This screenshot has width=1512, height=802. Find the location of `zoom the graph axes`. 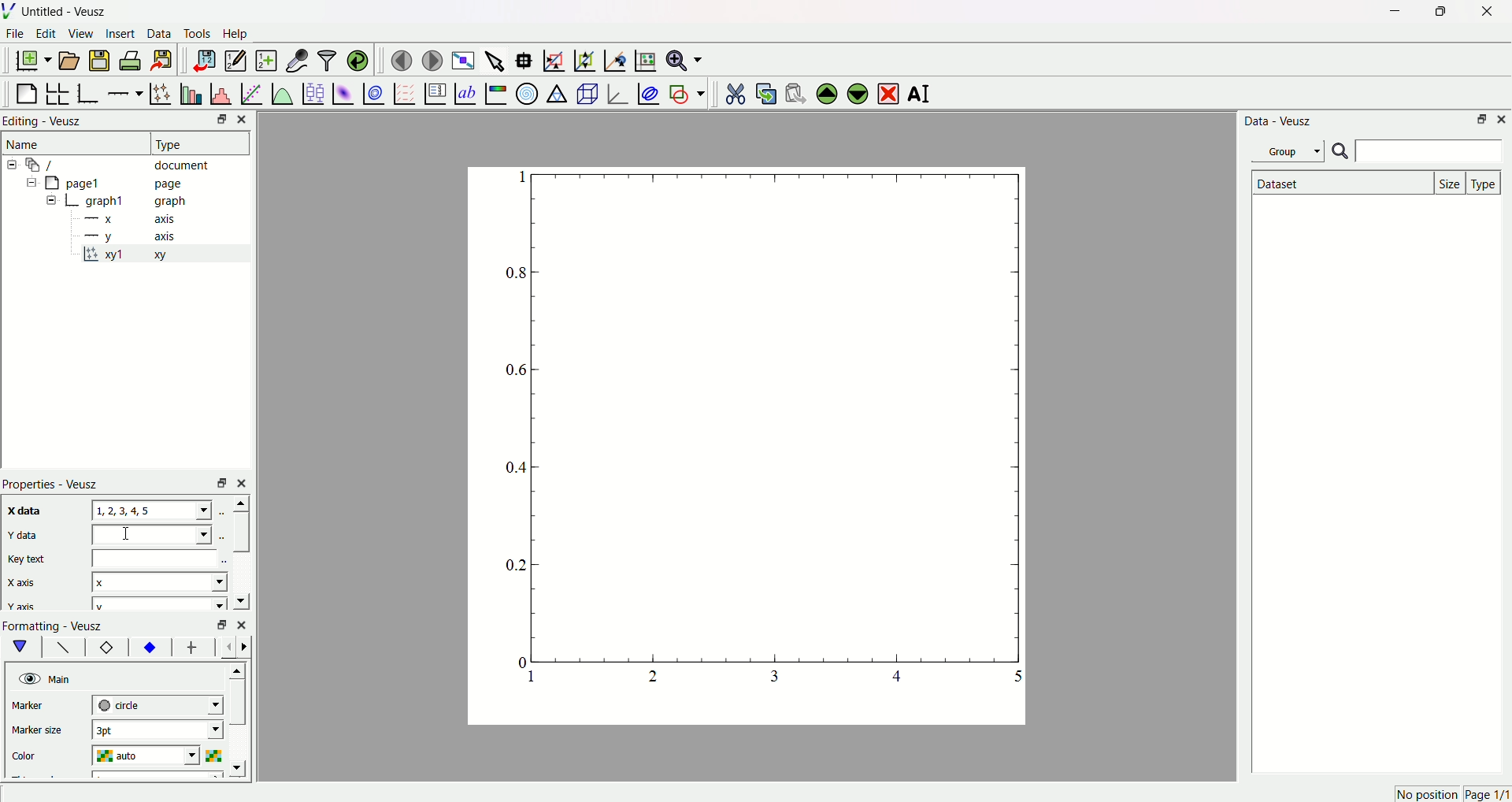

zoom the graph axes is located at coordinates (582, 58).